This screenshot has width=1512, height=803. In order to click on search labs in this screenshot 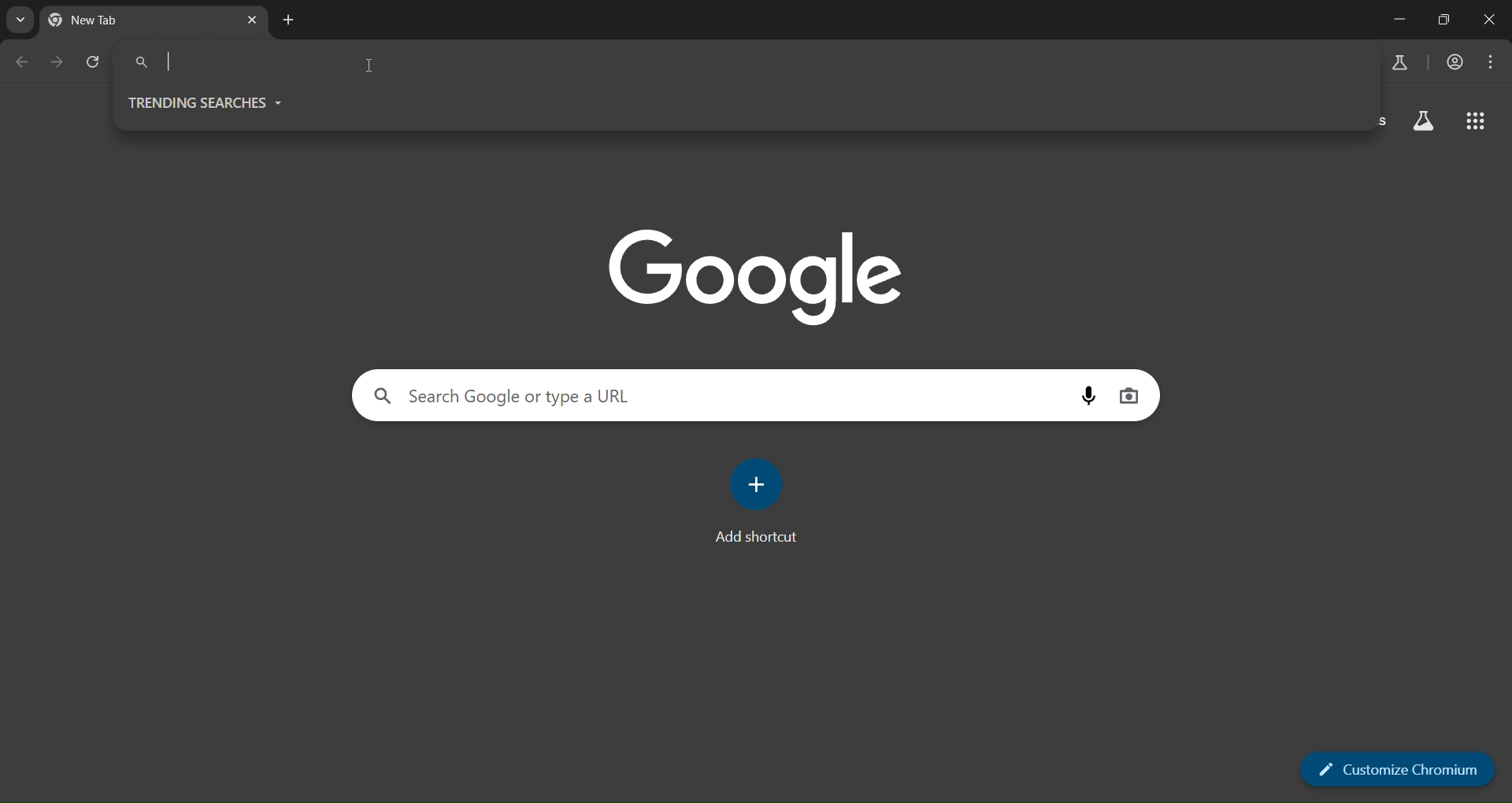, I will do `click(1425, 124)`.